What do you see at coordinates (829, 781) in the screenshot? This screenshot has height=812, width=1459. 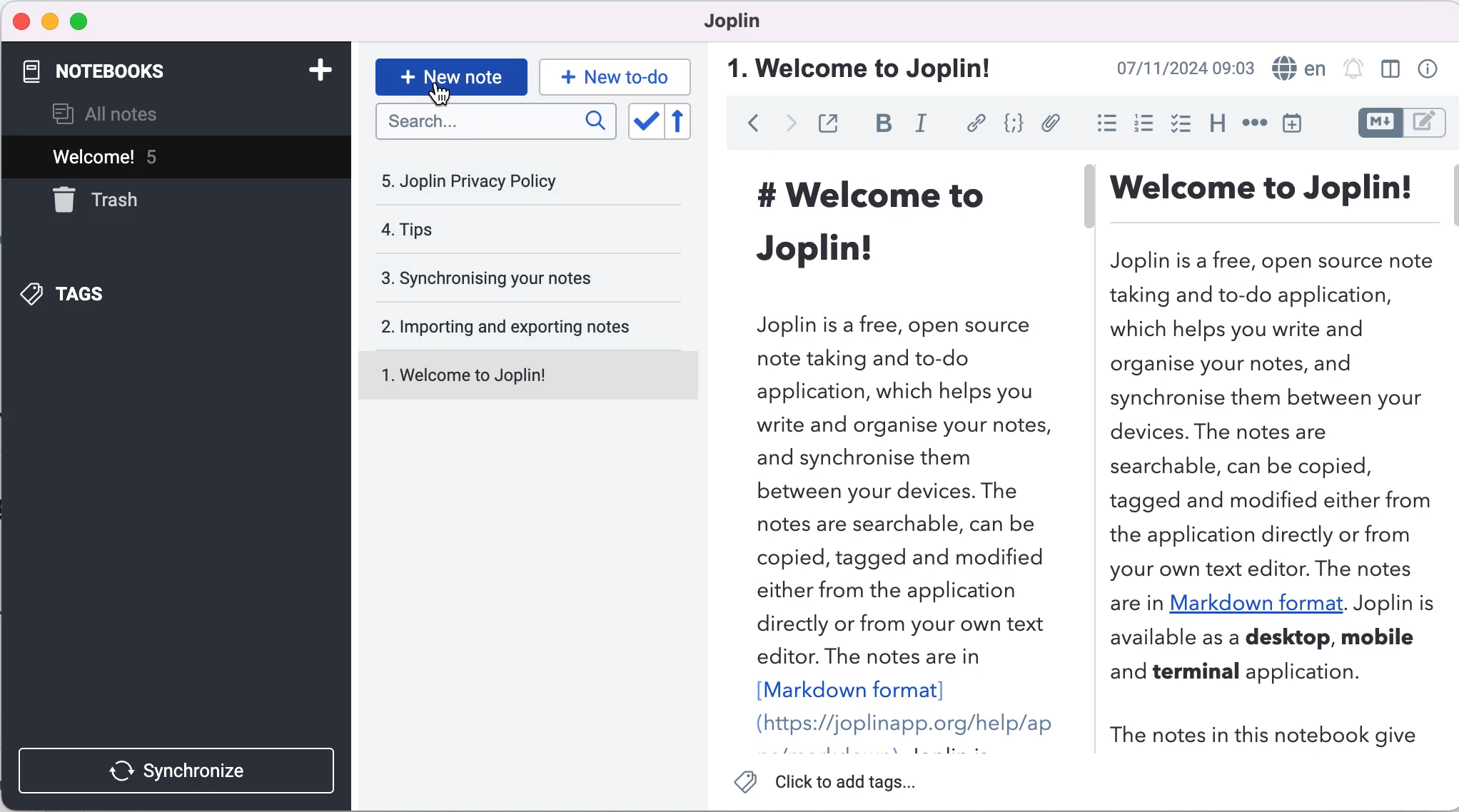 I see `click to add tags` at bounding box center [829, 781].